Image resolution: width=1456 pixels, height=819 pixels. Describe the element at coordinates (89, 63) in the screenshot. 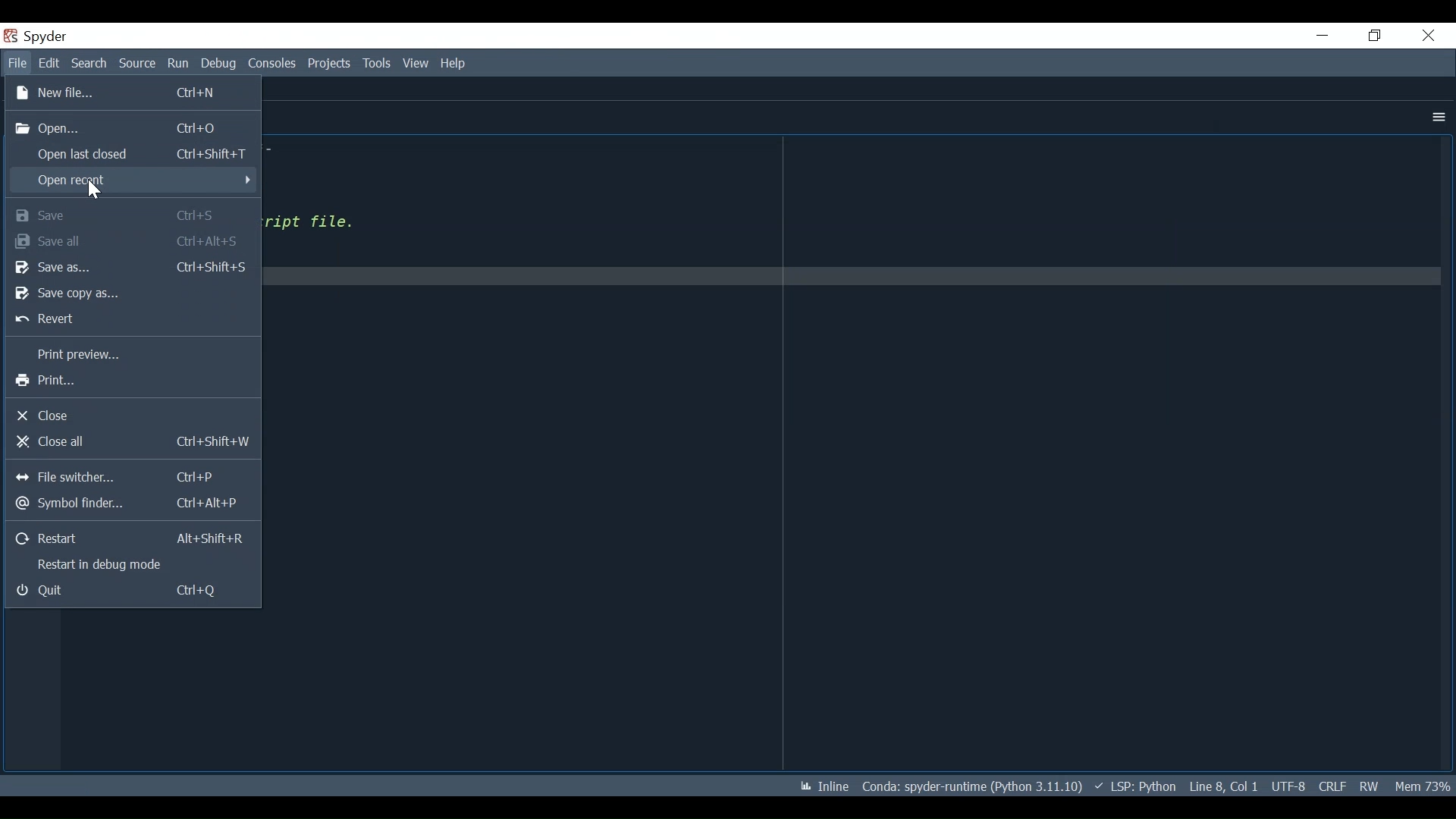

I see `Search` at that location.